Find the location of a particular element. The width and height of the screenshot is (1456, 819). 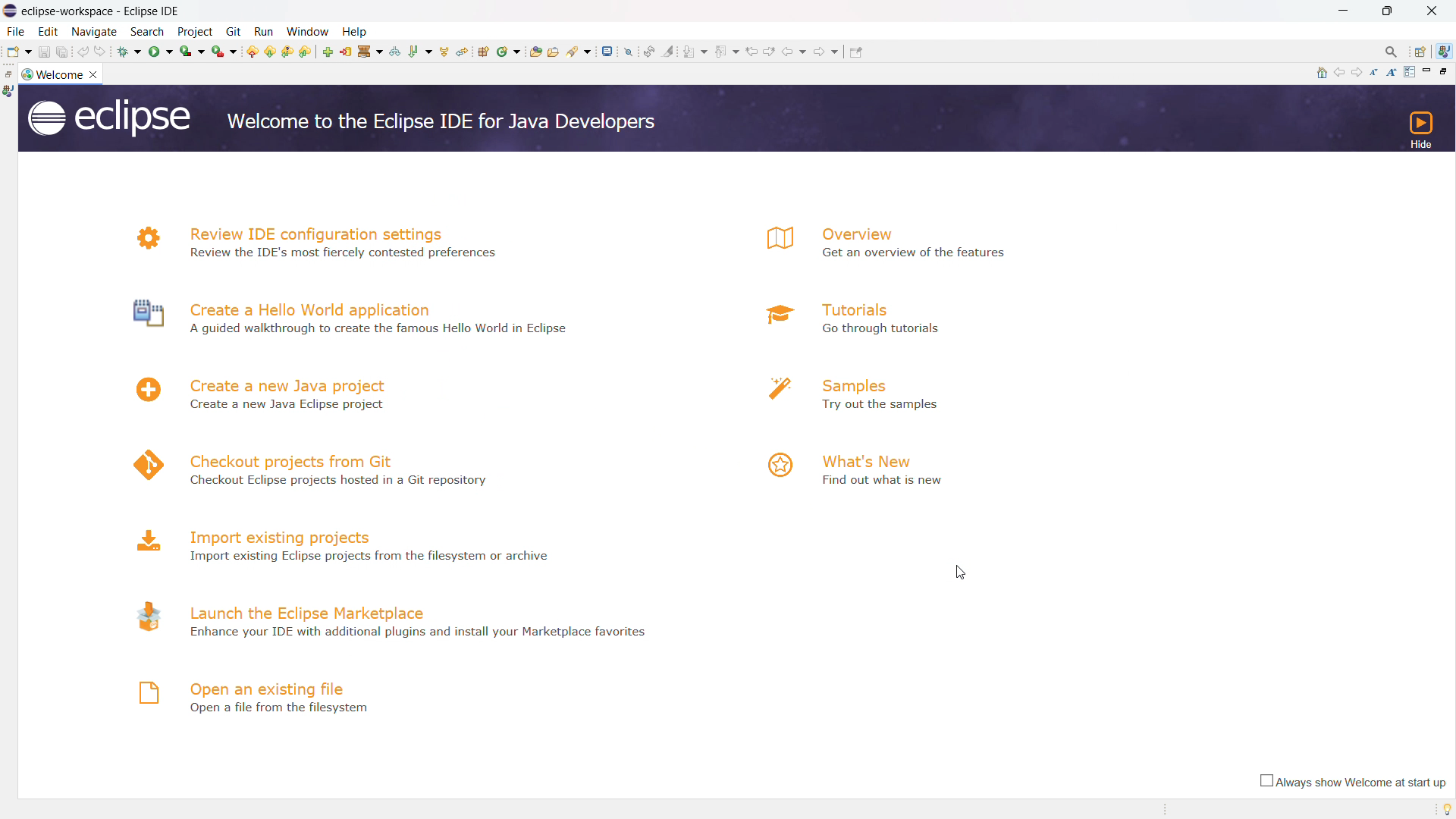

next edit location is located at coordinates (773, 52).